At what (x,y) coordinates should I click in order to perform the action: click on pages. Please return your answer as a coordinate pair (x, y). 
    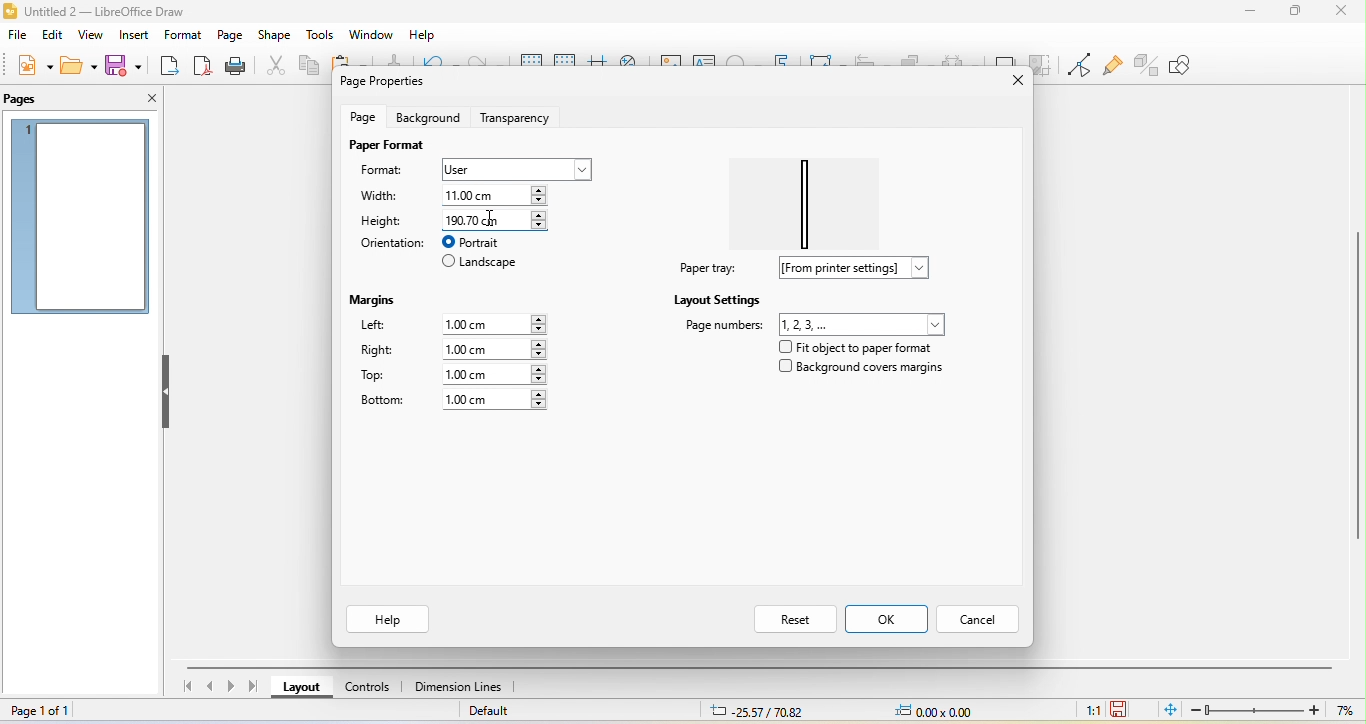
    Looking at the image, I should click on (31, 99).